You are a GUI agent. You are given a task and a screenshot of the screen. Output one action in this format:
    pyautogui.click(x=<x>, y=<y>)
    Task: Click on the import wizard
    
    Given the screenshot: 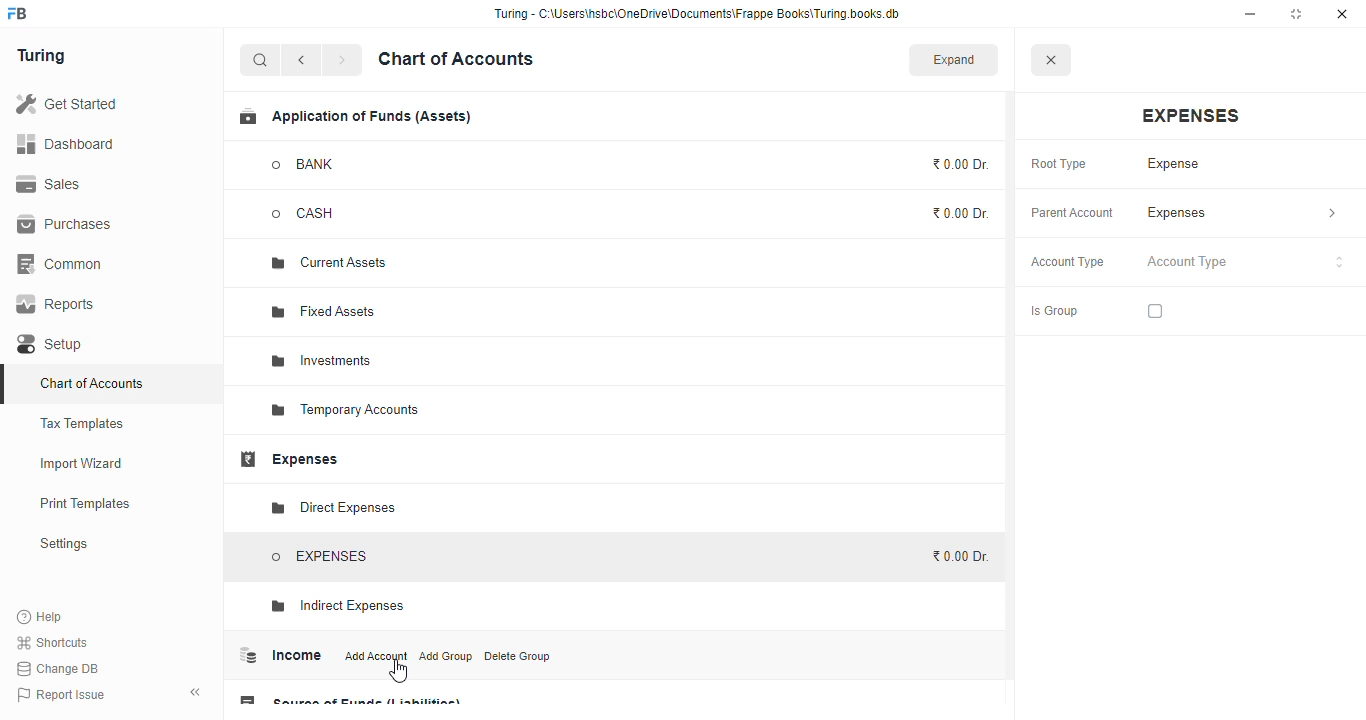 What is the action you would take?
    pyautogui.click(x=82, y=464)
    